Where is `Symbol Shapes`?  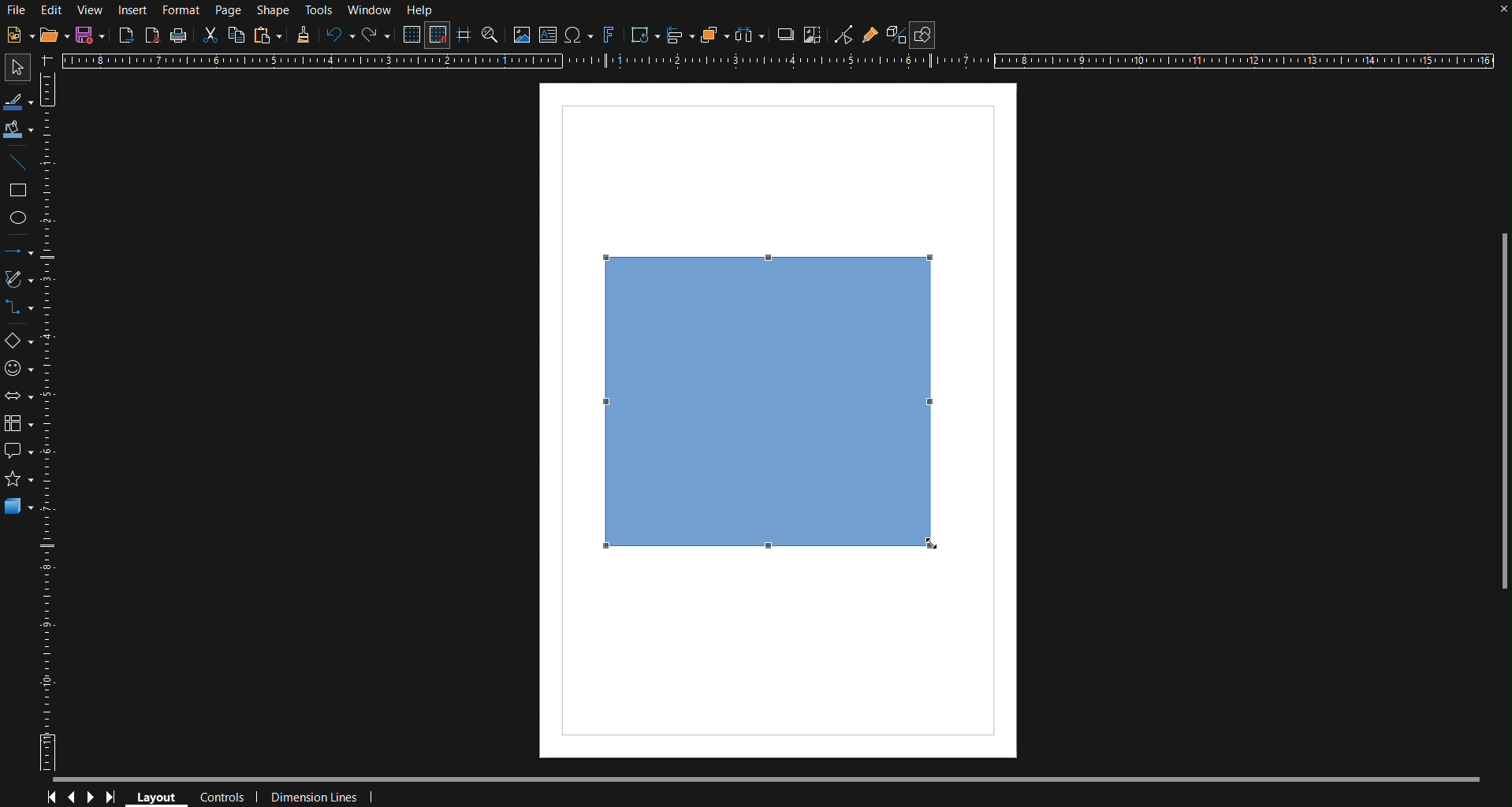
Symbol Shapes is located at coordinates (19, 369).